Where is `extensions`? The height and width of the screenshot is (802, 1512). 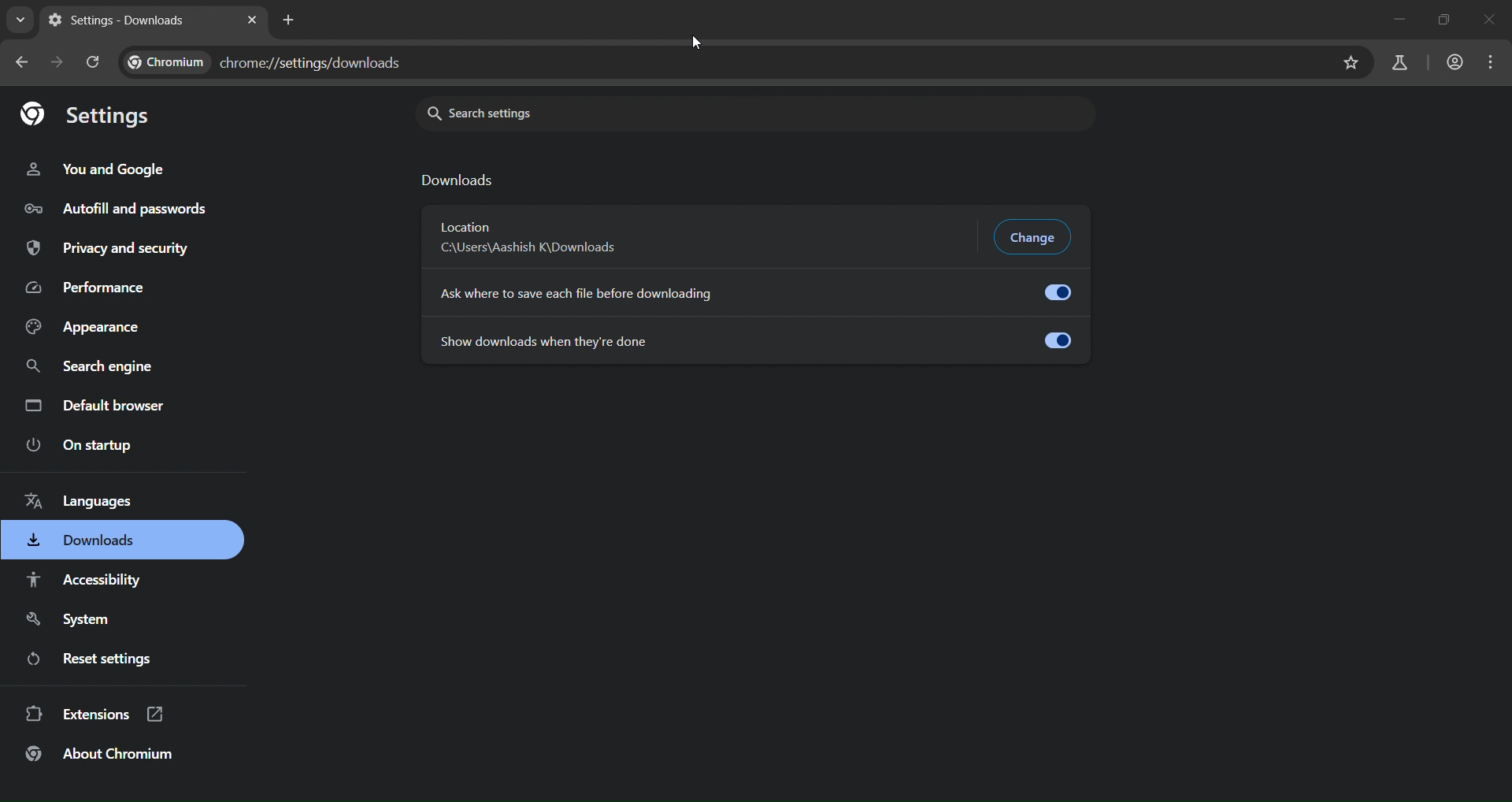 extensions is located at coordinates (96, 715).